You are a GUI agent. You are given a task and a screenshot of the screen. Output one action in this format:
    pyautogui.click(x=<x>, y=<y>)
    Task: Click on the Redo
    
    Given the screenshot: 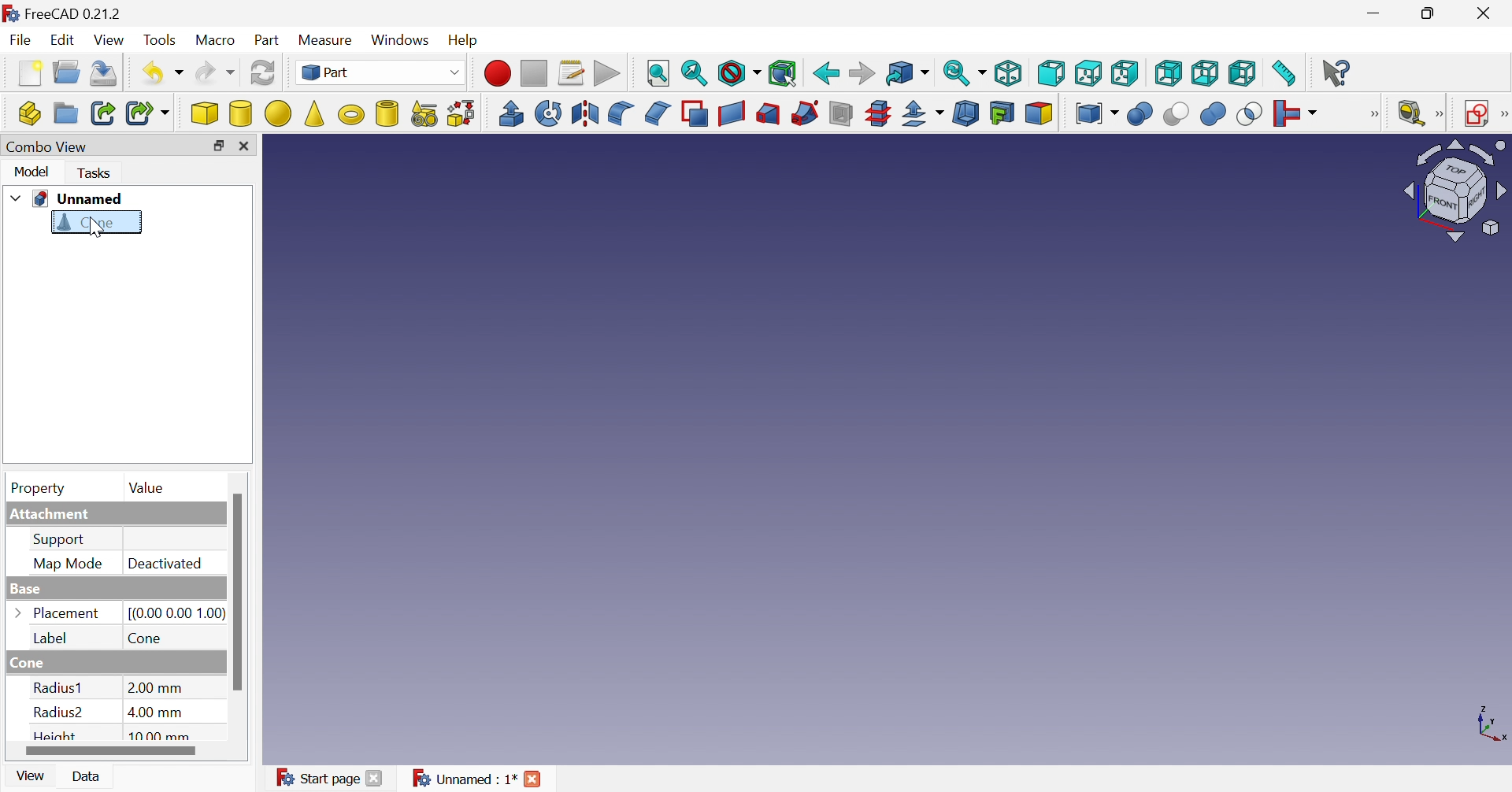 What is the action you would take?
    pyautogui.click(x=214, y=73)
    